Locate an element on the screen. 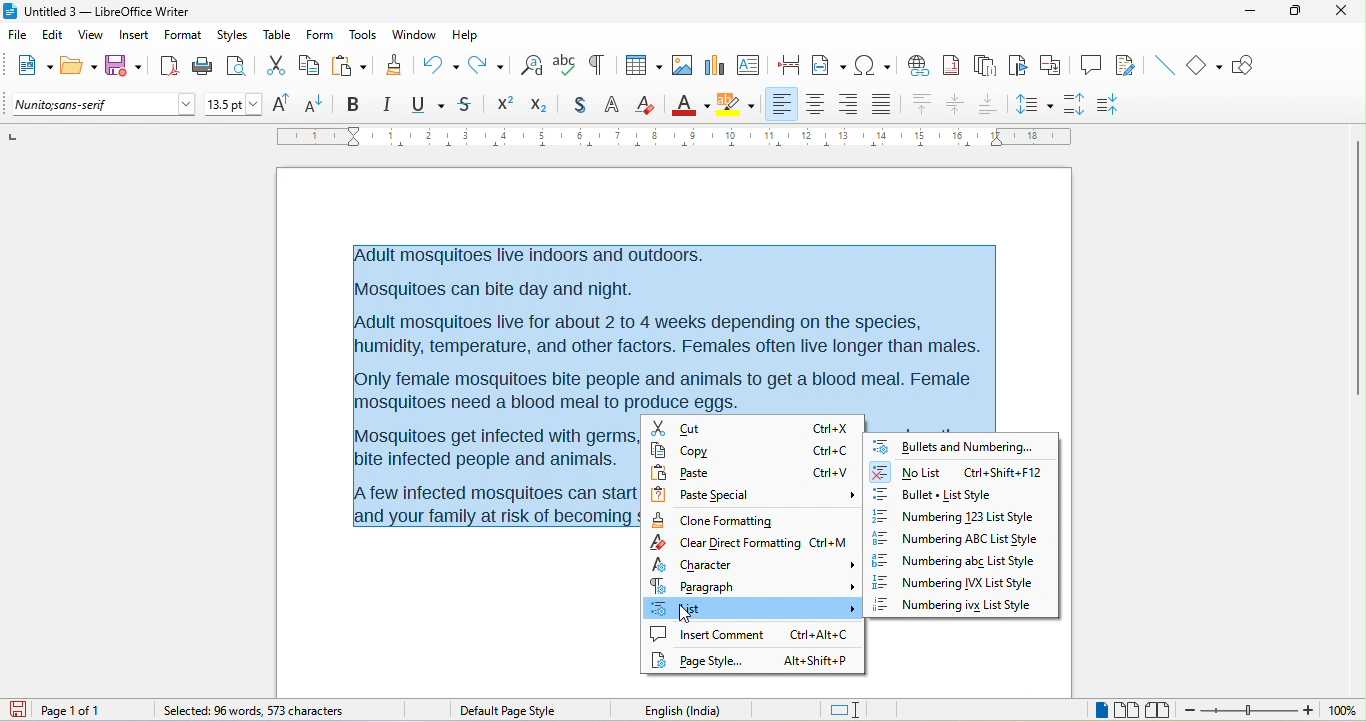  Superscript is located at coordinates (502, 106).